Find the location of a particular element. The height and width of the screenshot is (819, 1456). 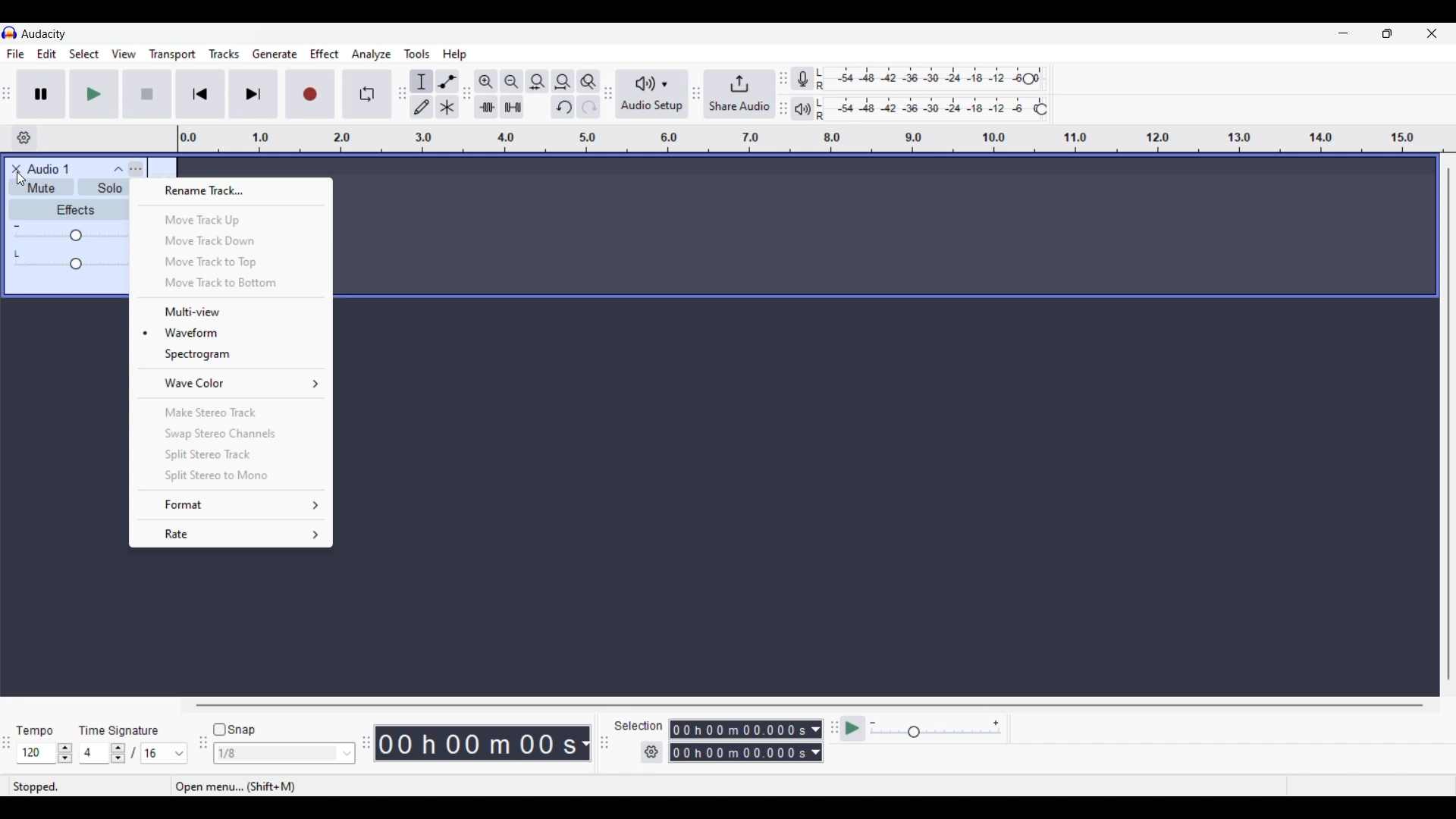

Split stereo track is located at coordinates (231, 454).